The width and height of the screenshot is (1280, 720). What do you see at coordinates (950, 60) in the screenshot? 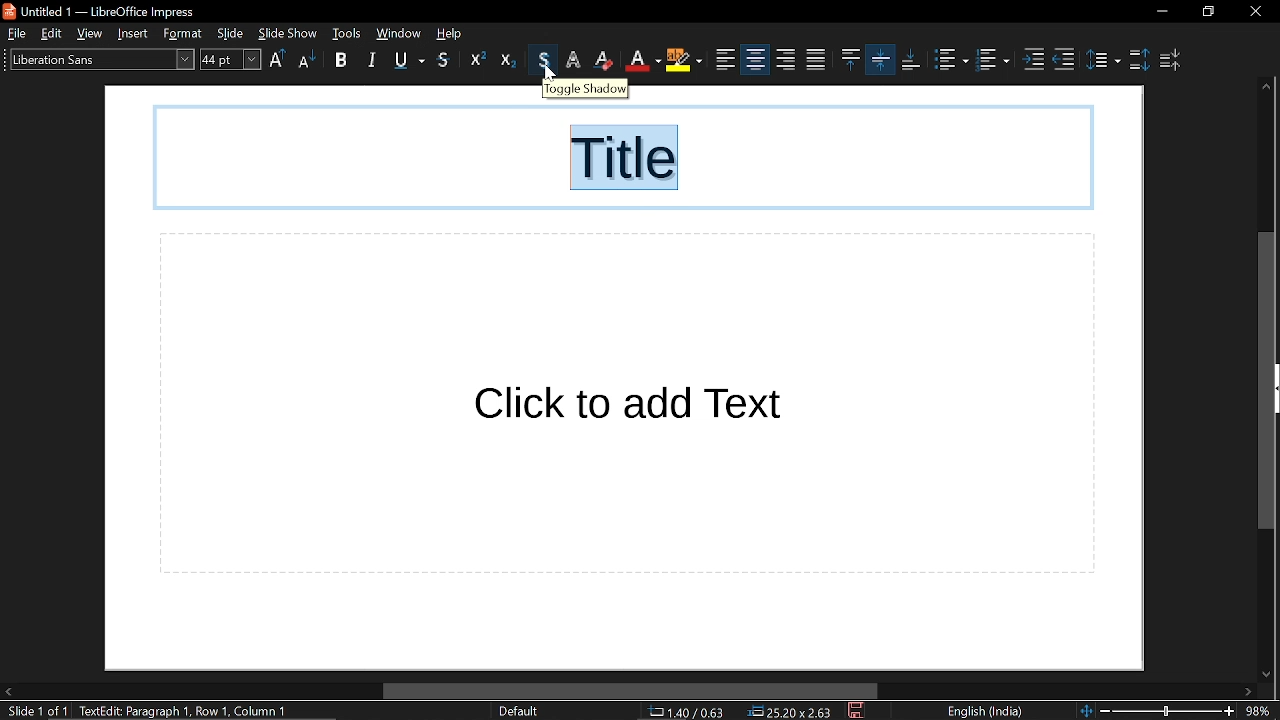
I see `toggle unordered list` at bounding box center [950, 60].